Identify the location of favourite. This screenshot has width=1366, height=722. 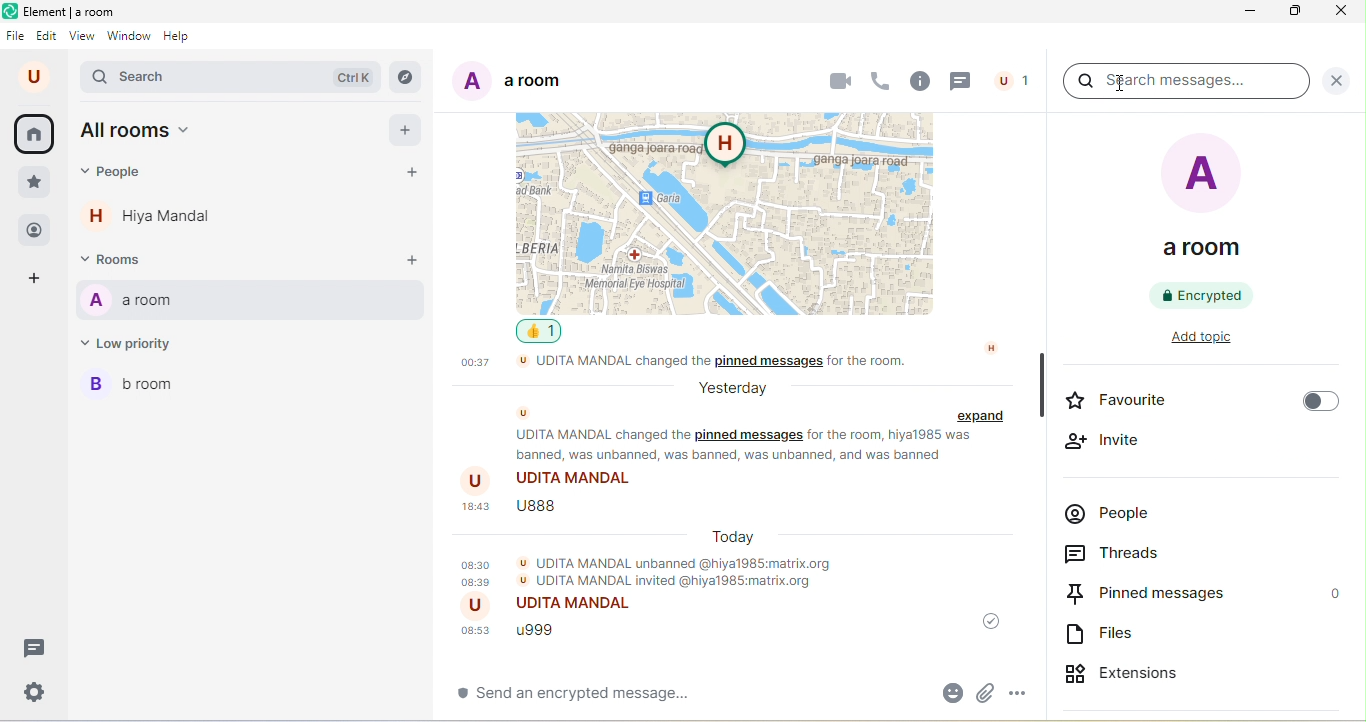
(1199, 403).